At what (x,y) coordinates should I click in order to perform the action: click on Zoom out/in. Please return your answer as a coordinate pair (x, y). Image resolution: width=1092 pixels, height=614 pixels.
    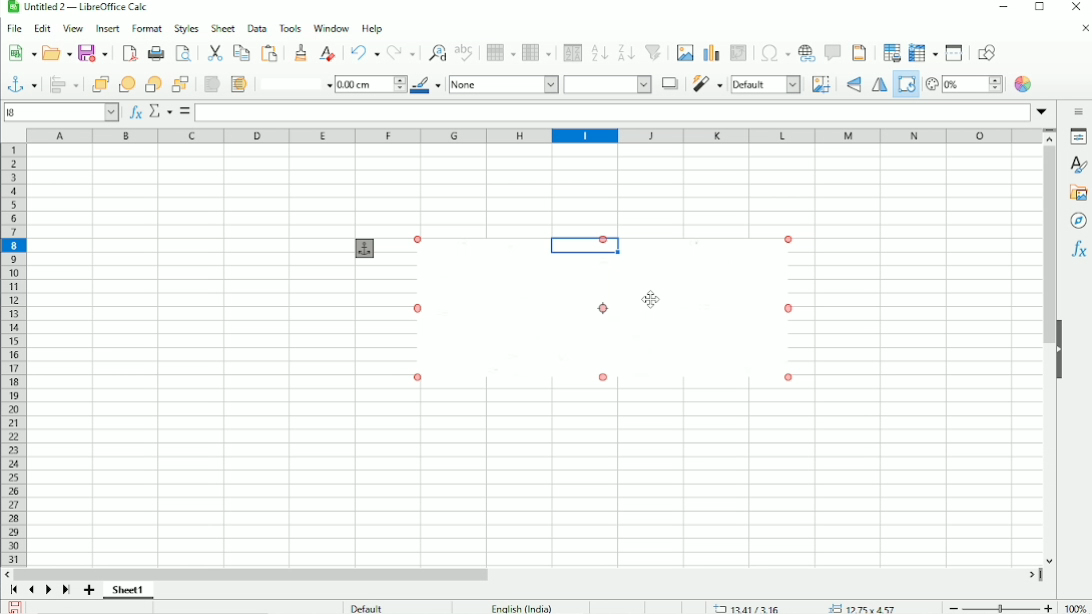
    Looking at the image, I should click on (998, 605).